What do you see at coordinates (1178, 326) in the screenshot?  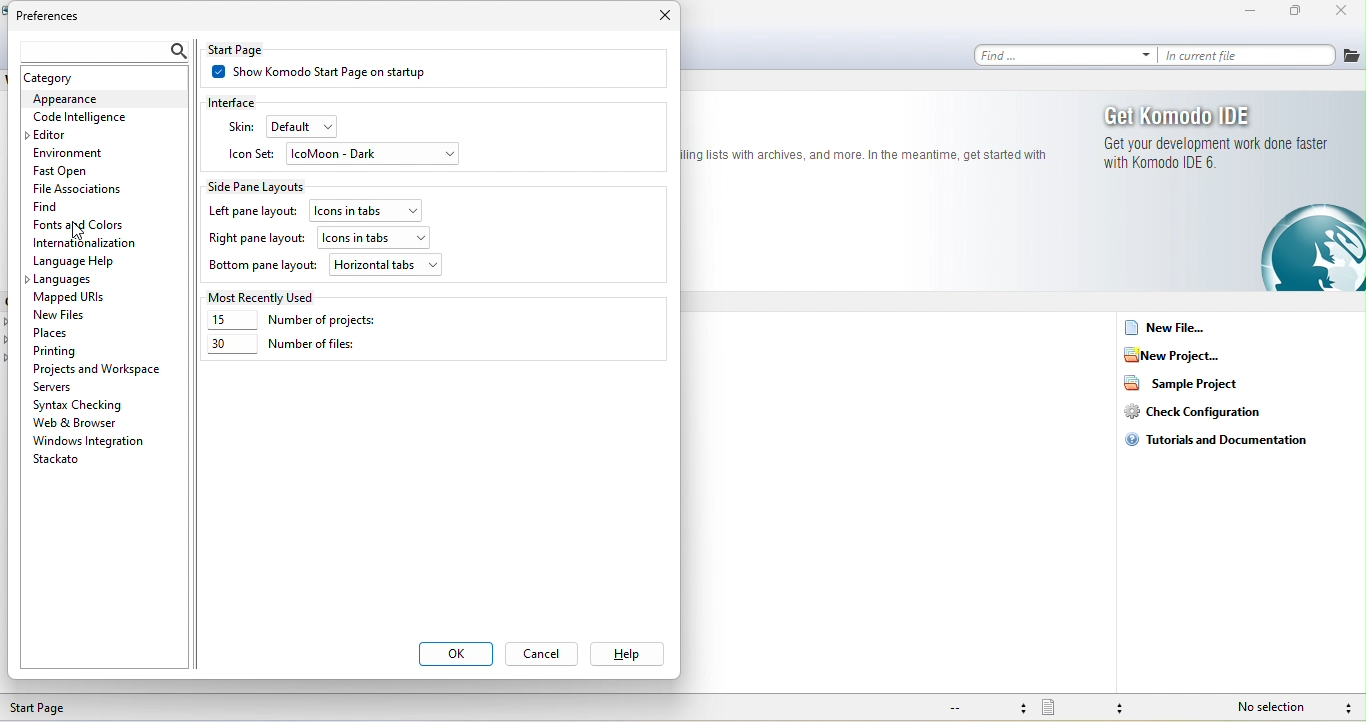 I see `new file` at bounding box center [1178, 326].